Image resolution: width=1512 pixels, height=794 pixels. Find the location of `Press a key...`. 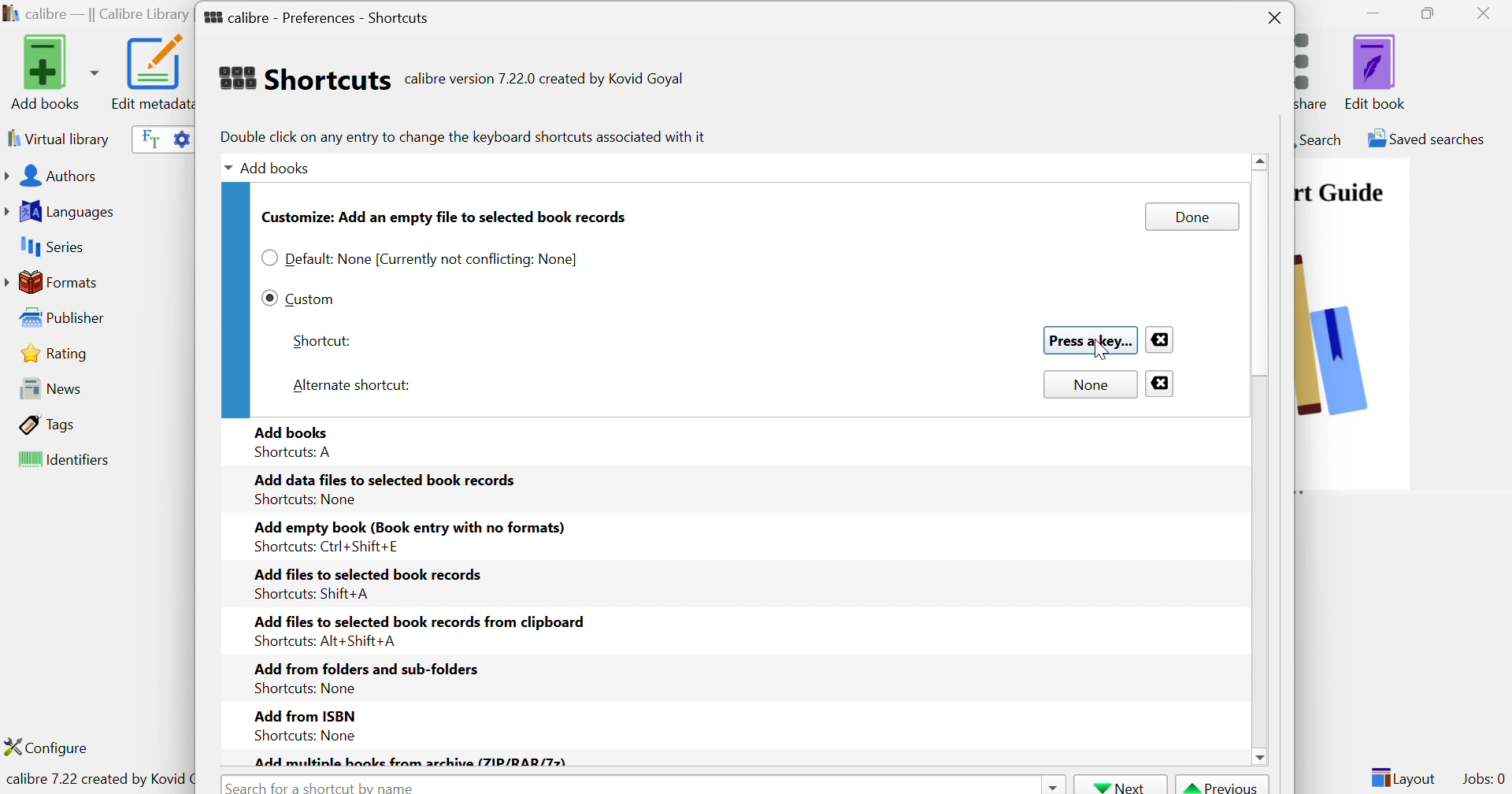

Press a key... is located at coordinates (1091, 340).